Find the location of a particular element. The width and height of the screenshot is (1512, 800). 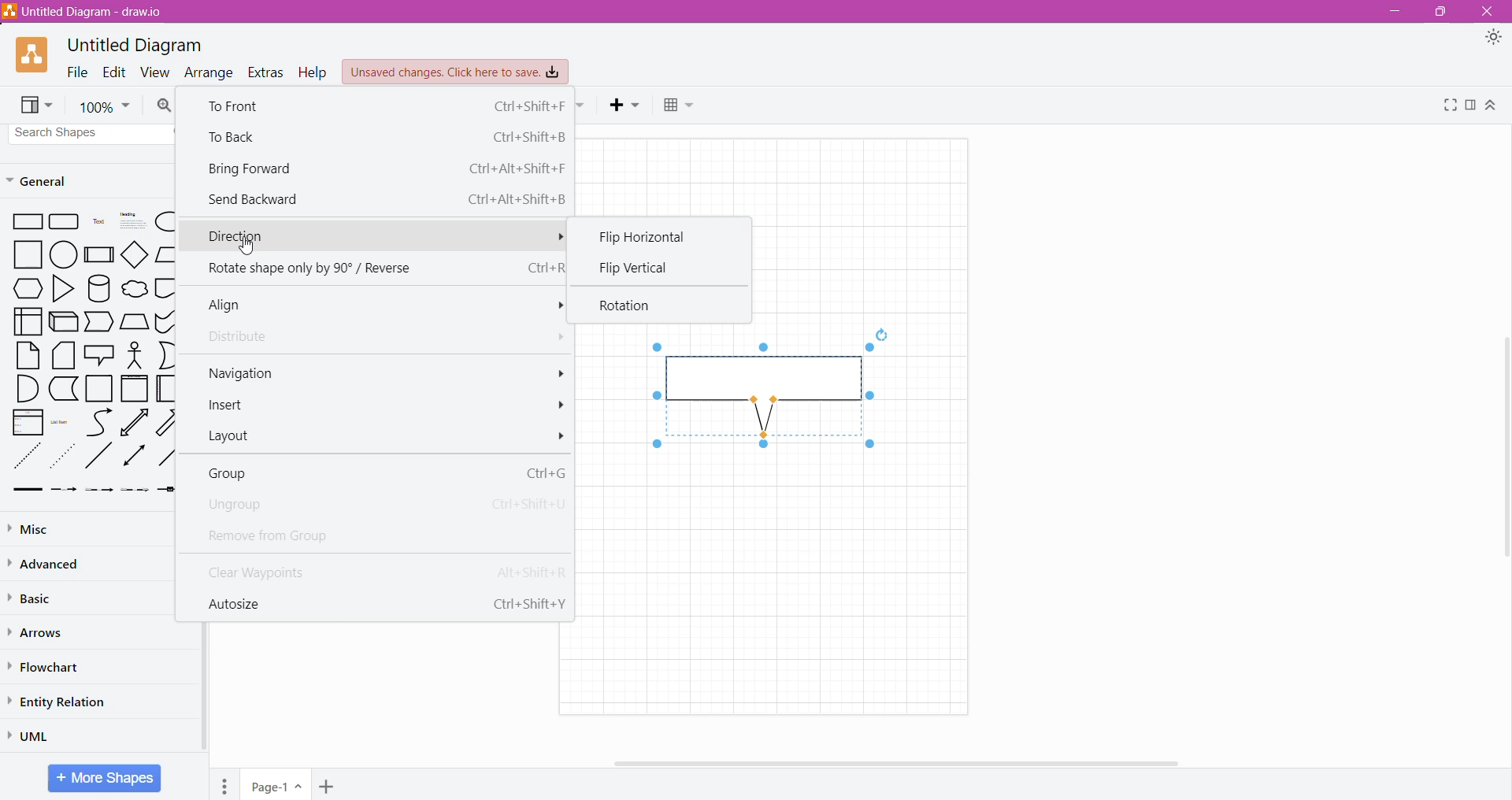

Square  is located at coordinates (99, 389).